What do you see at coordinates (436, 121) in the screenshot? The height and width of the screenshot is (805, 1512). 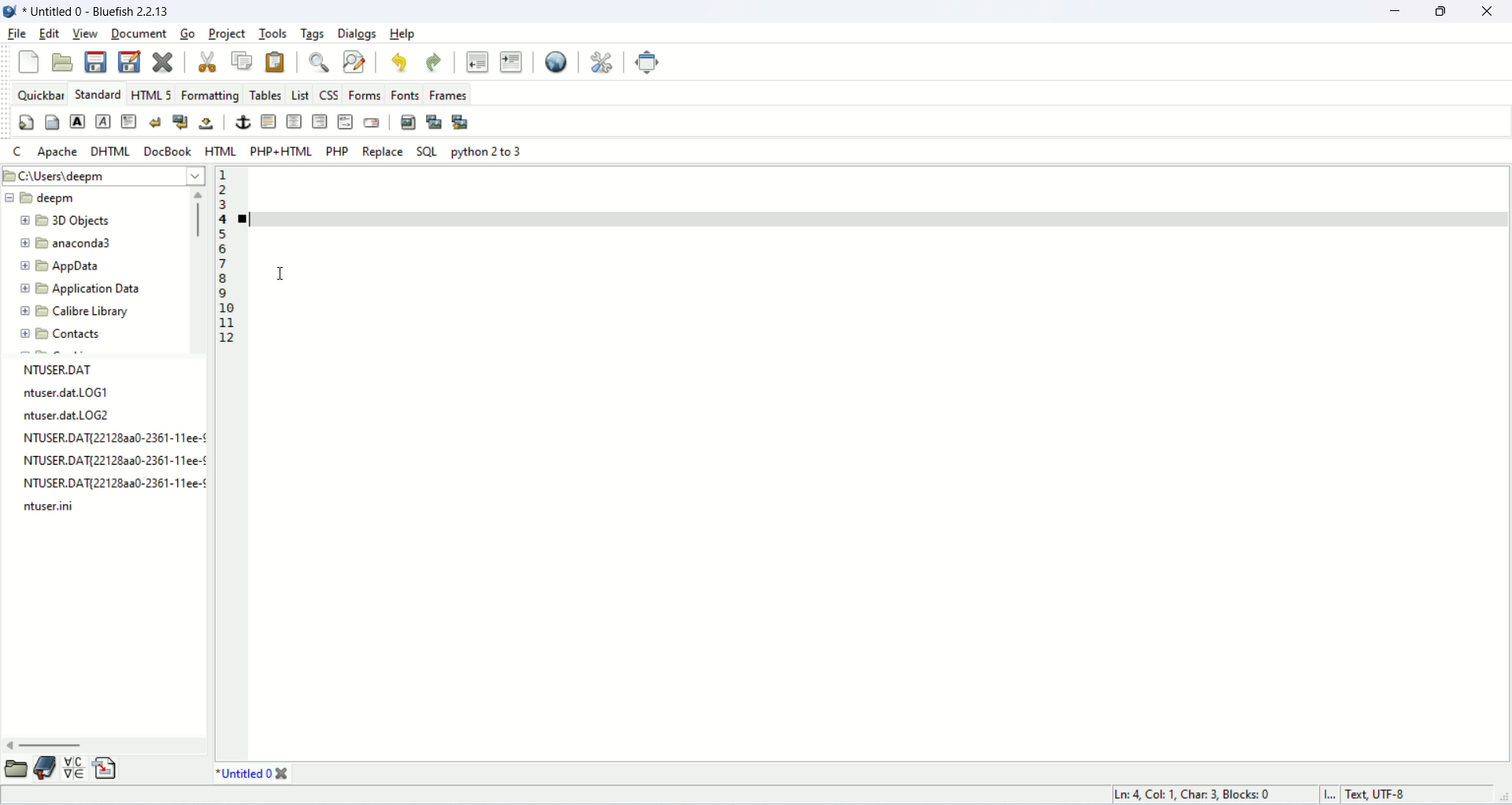 I see `insert thumbnail` at bounding box center [436, 121].